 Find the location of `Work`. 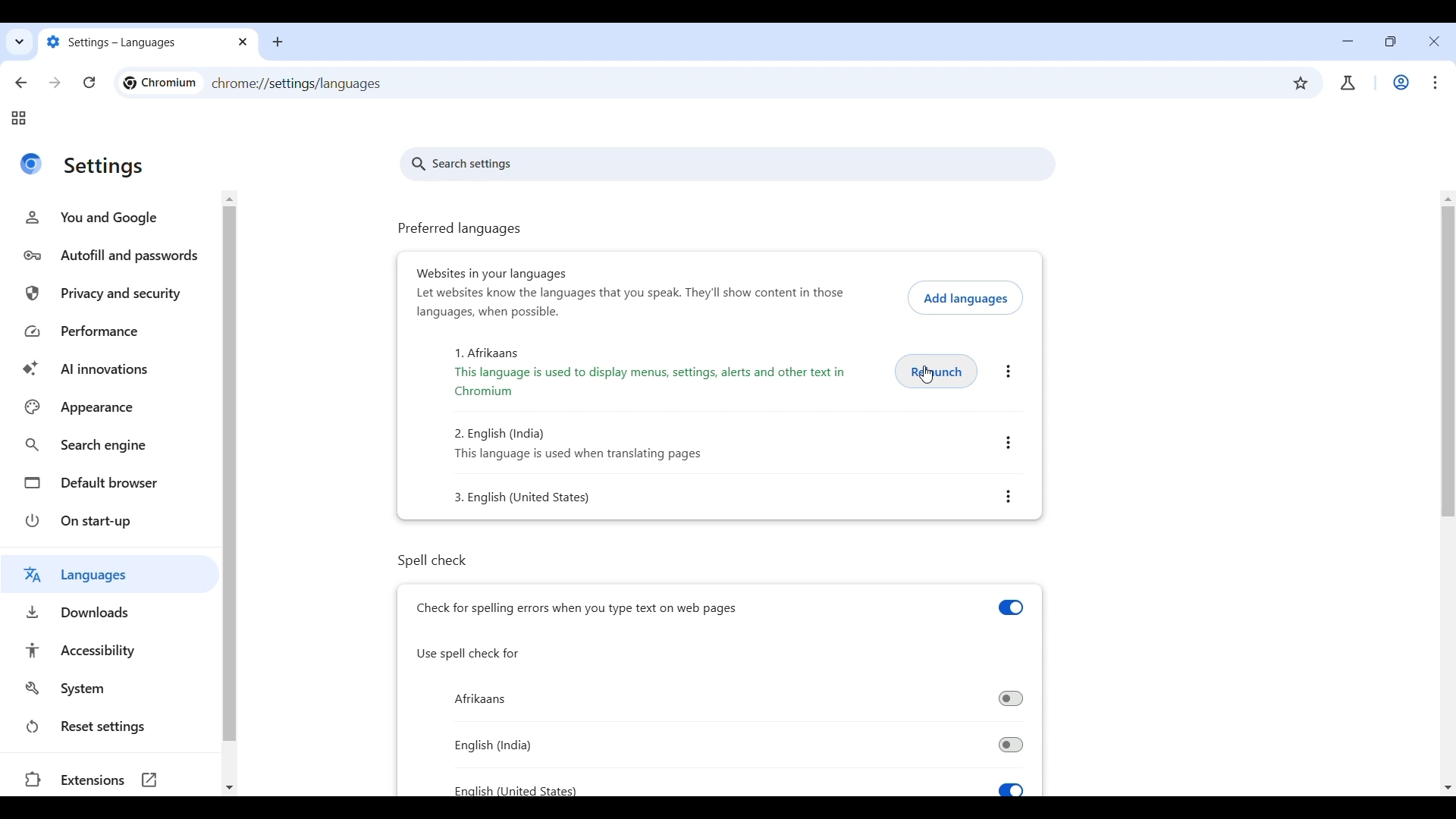

Work is located at coordinates (1401, 82).